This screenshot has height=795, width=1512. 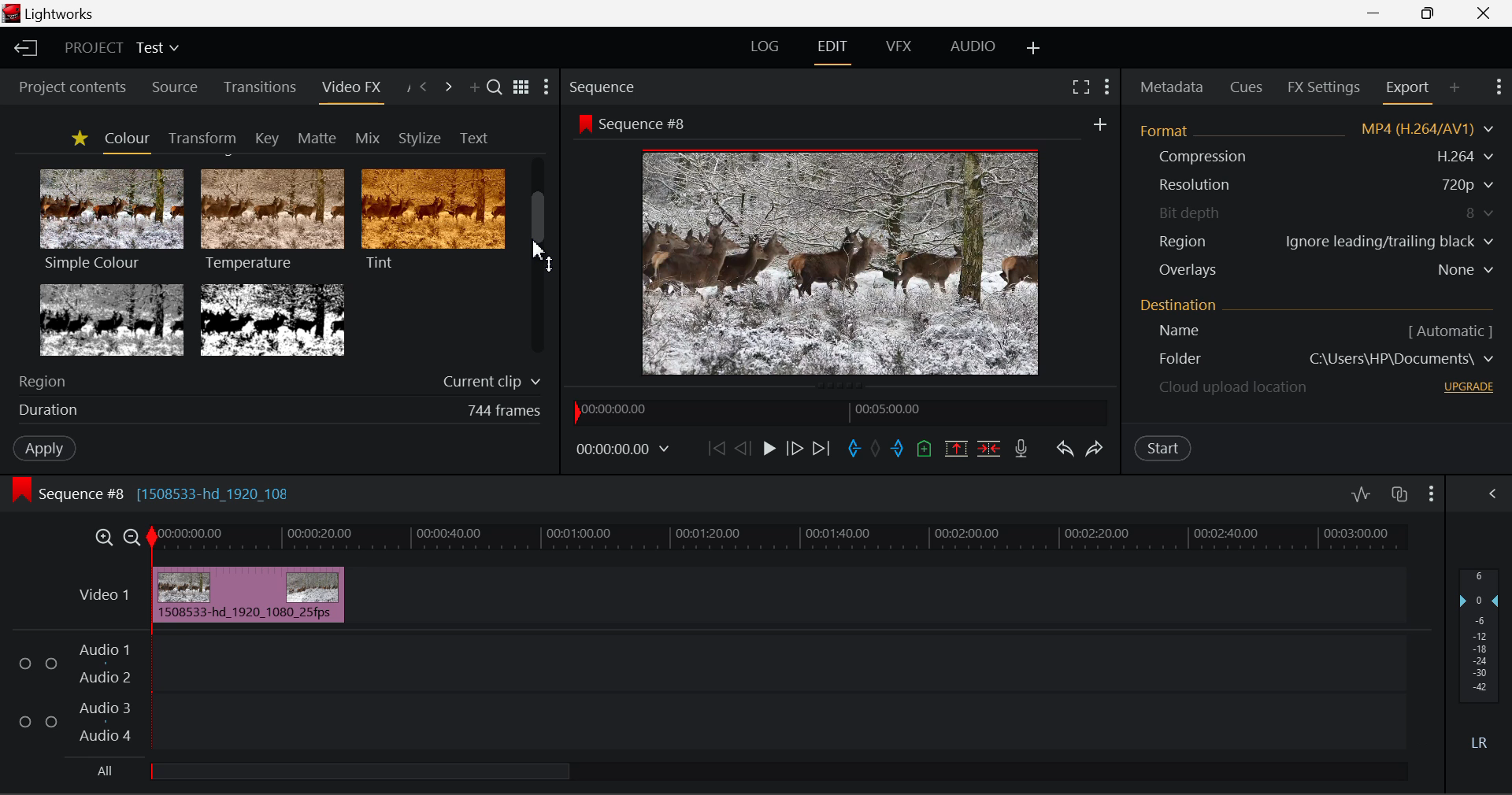 I want to click on Stylize, so click(x=420, y=136).